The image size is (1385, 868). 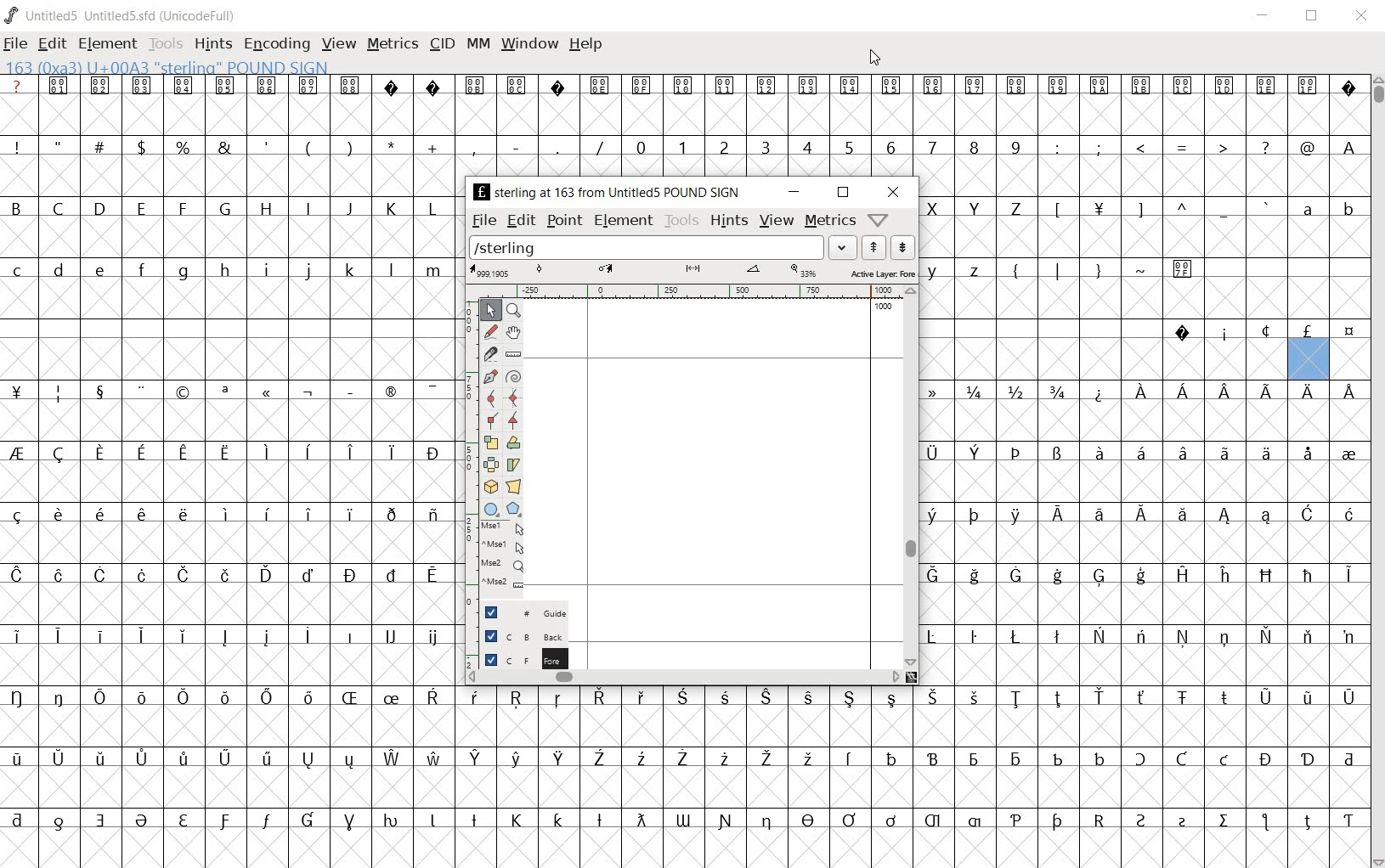 I want to click on tools, so click(x=681, y=220).